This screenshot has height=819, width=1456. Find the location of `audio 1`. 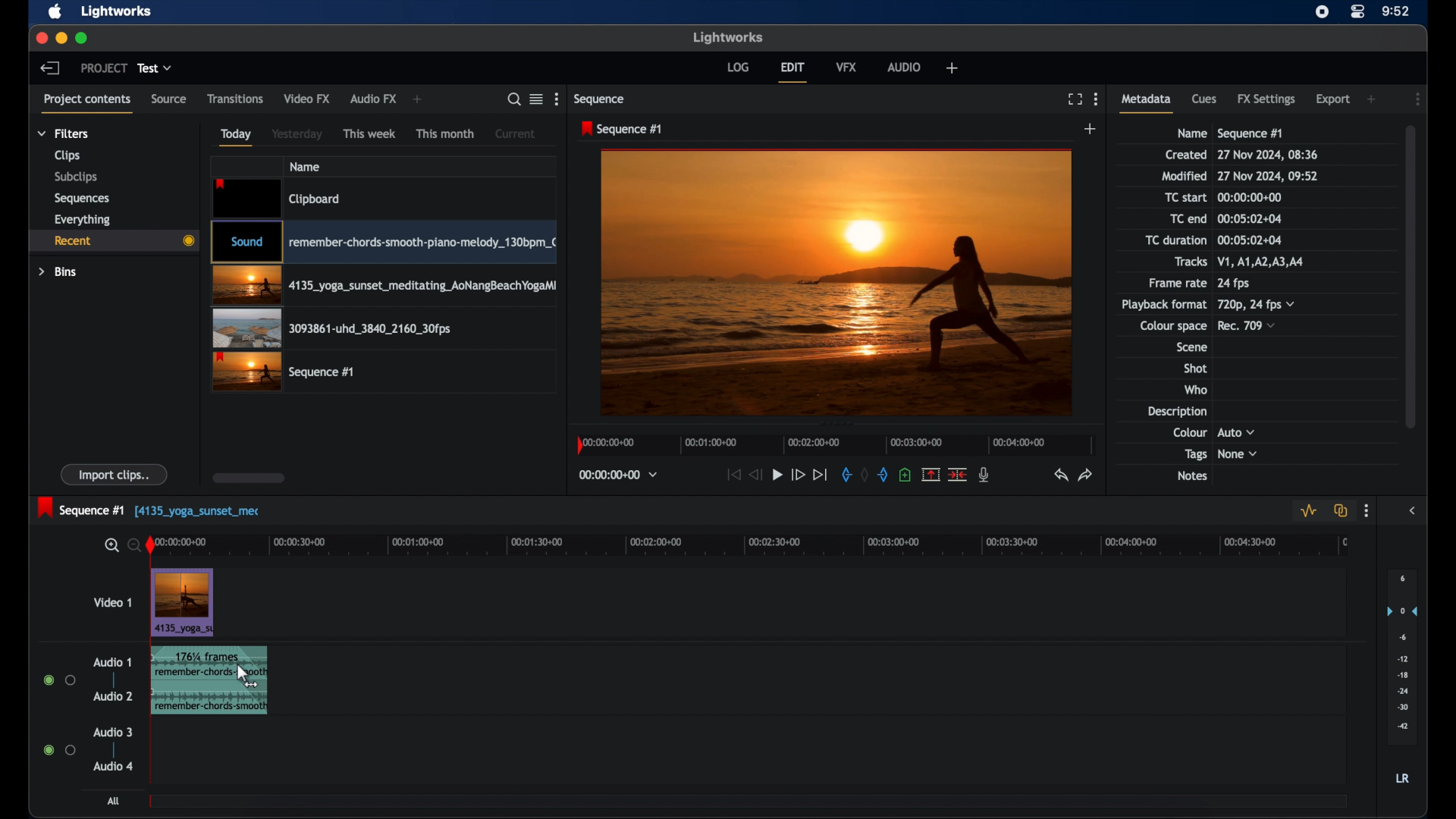

audio 1 is located at coordinates (112, 662).